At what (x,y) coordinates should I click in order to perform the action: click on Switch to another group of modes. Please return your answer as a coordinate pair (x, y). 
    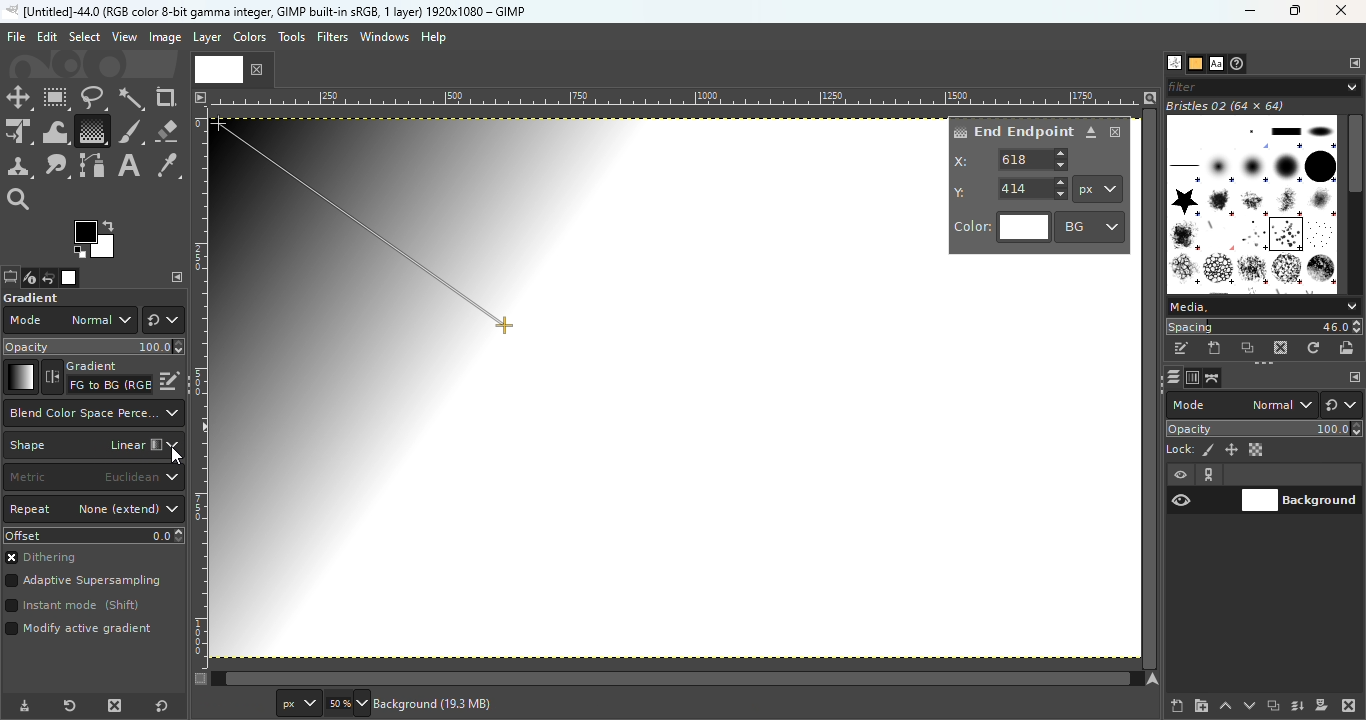
    Looking at the image, I should click on (1345, 405).